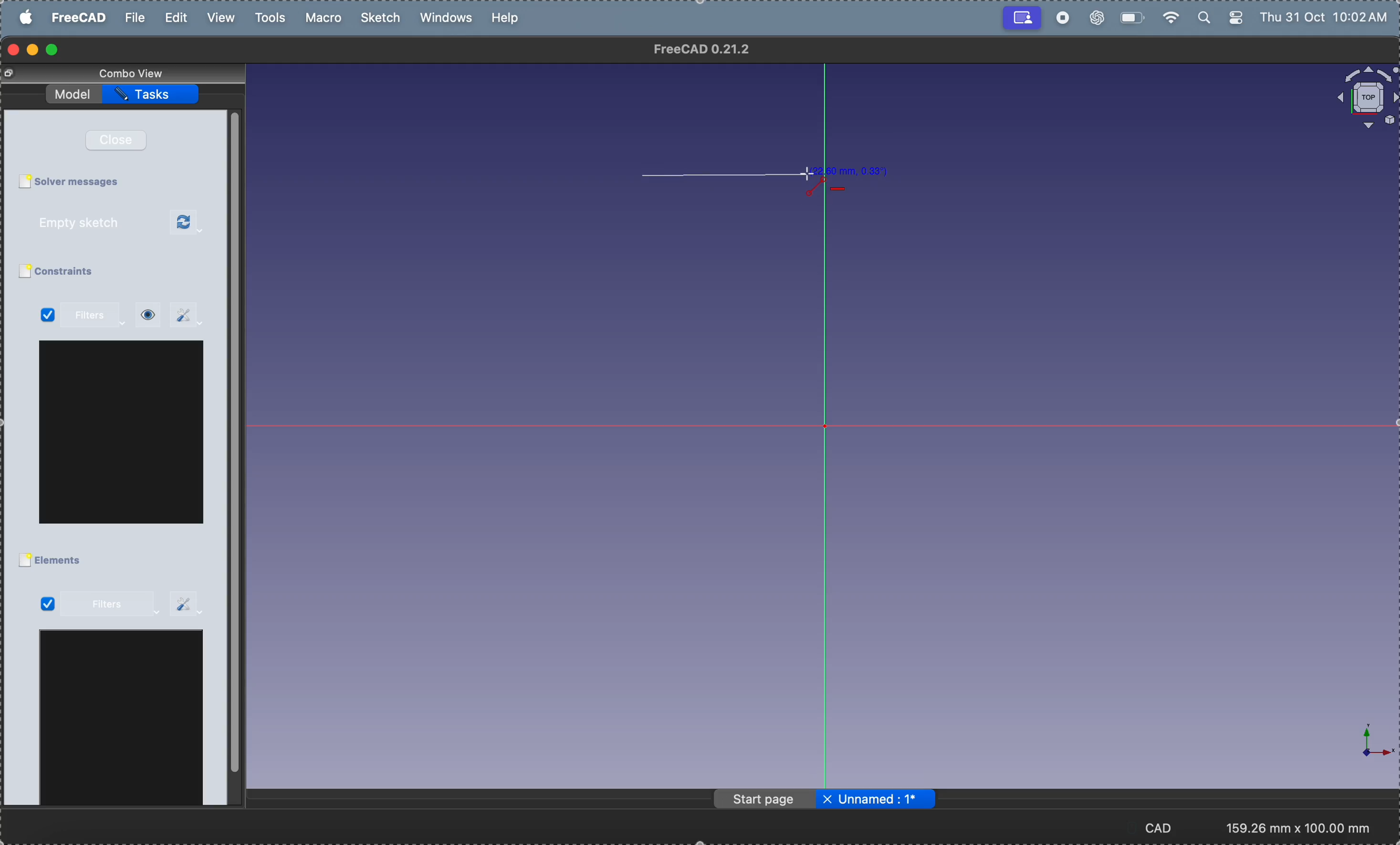  Describe the element at coordinates (82, 182) in the screenshot. I see `solver messages` at that location.